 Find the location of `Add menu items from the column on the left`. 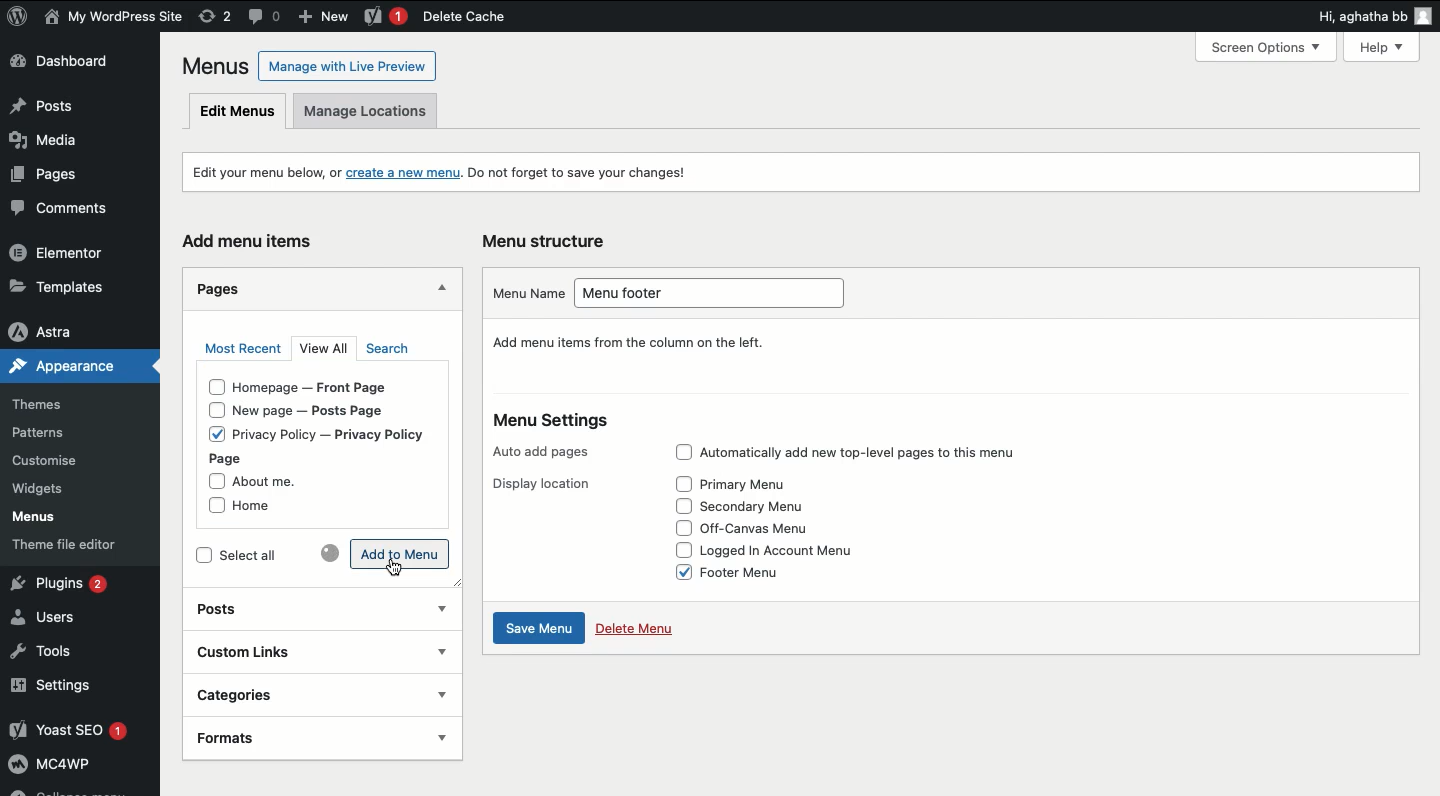

Add menu items from the column on the left is located at coordinates (630, 344).